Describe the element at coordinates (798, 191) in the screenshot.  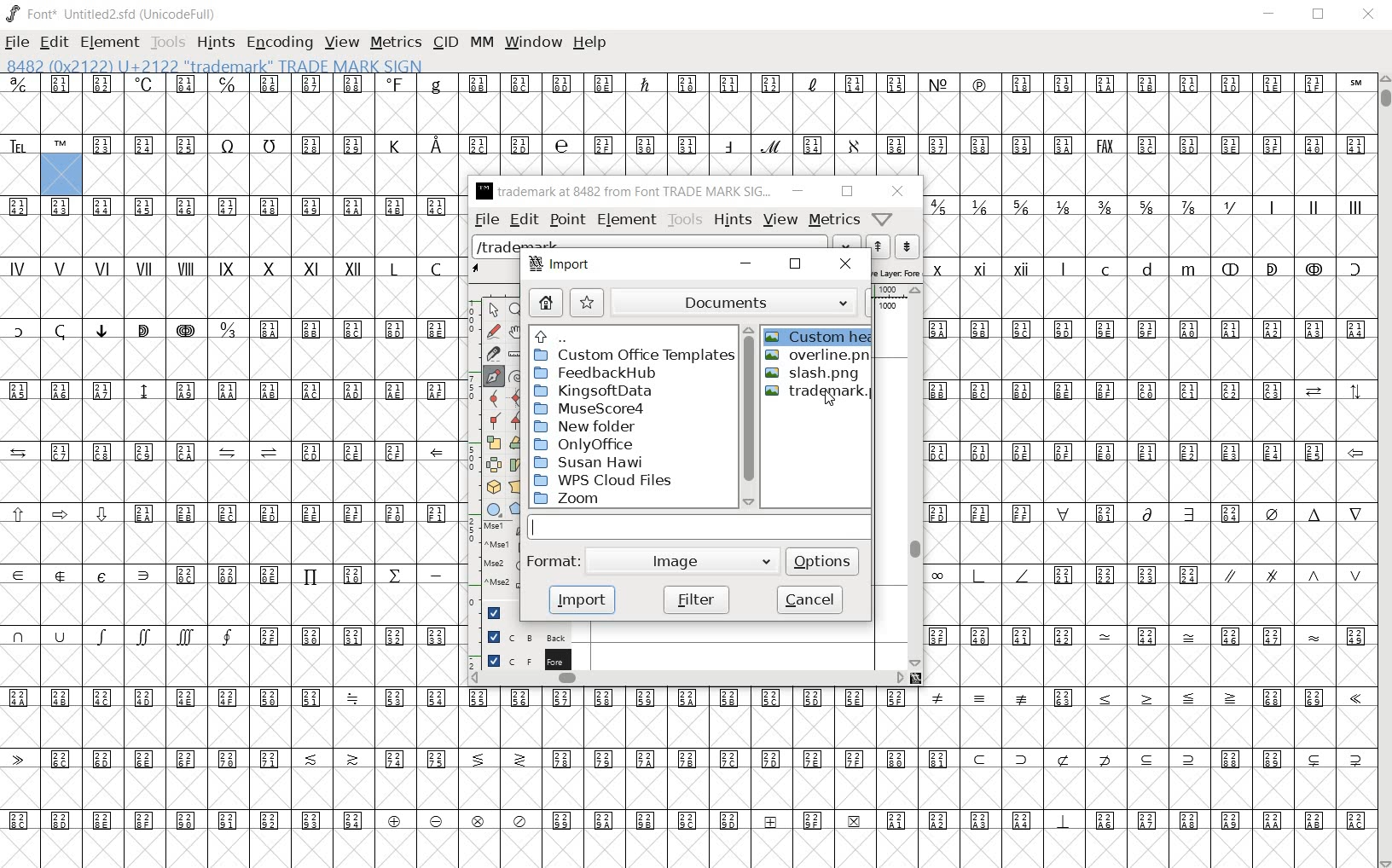
I see `minimize` at that location.